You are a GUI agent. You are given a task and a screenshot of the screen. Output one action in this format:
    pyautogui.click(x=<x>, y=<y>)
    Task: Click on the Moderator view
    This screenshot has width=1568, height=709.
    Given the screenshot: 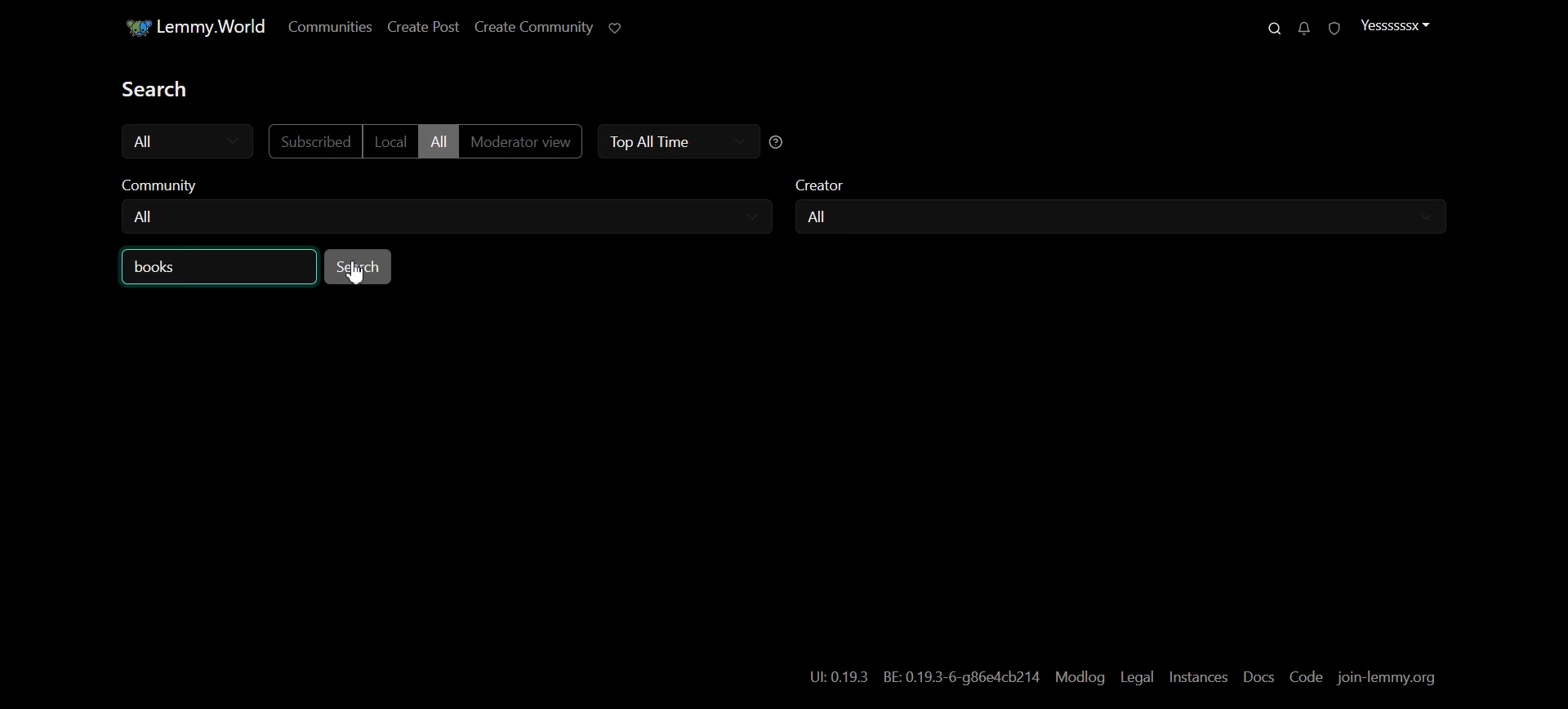 What is the action you would take?
    pyautogui.click(x=523, y=141)
    